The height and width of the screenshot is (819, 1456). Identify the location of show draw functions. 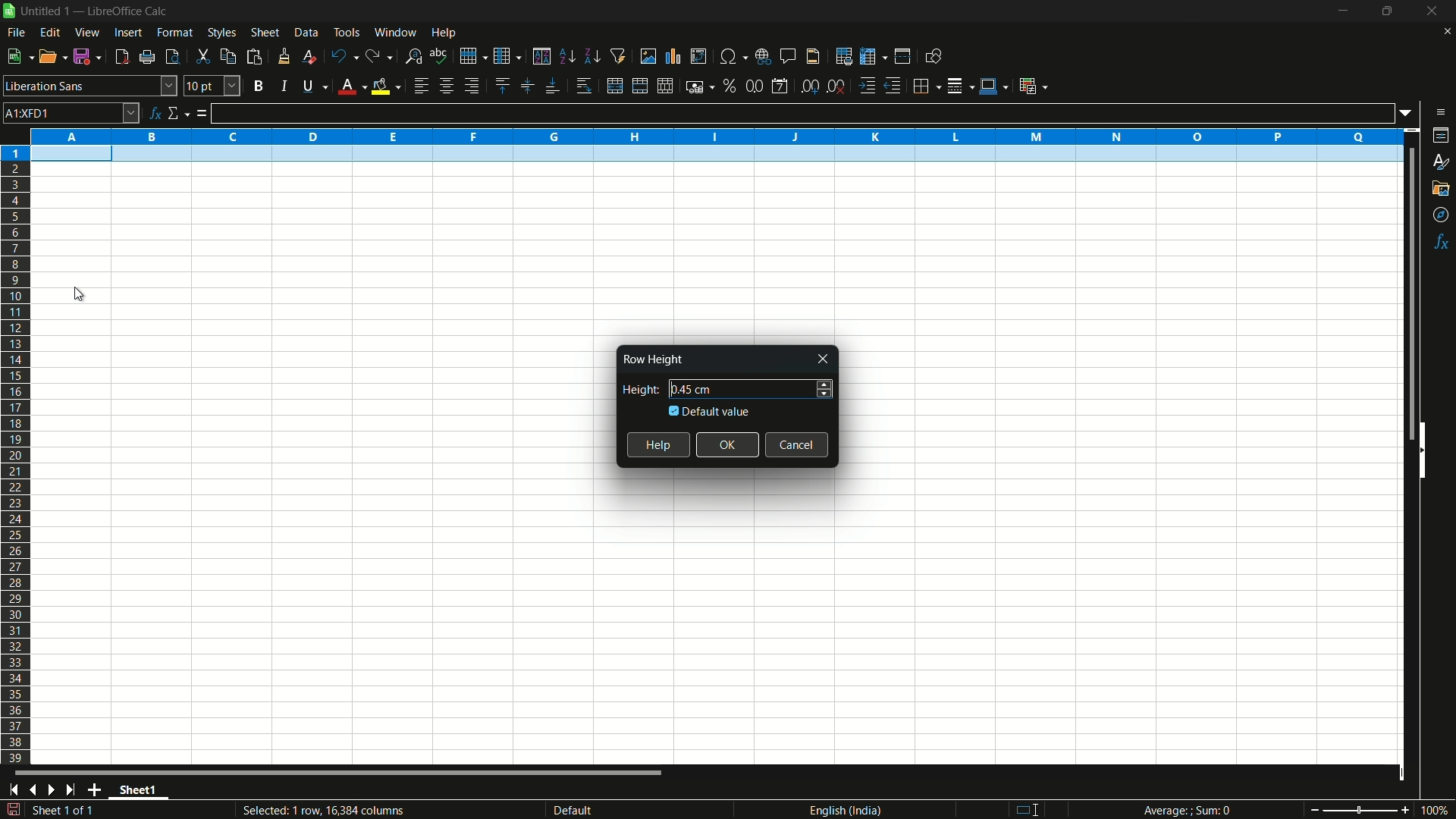
(932, 56).